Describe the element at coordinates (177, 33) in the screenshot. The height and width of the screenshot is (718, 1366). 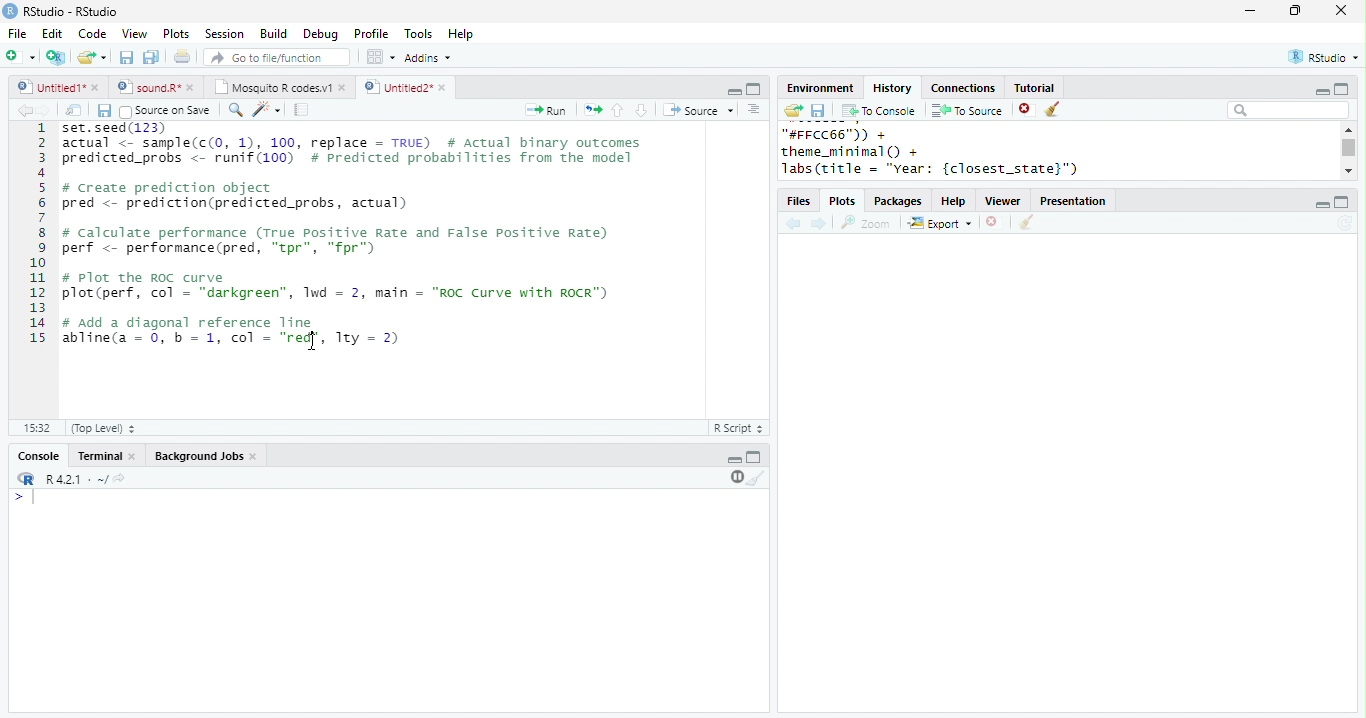
I see `Plots` at that location.